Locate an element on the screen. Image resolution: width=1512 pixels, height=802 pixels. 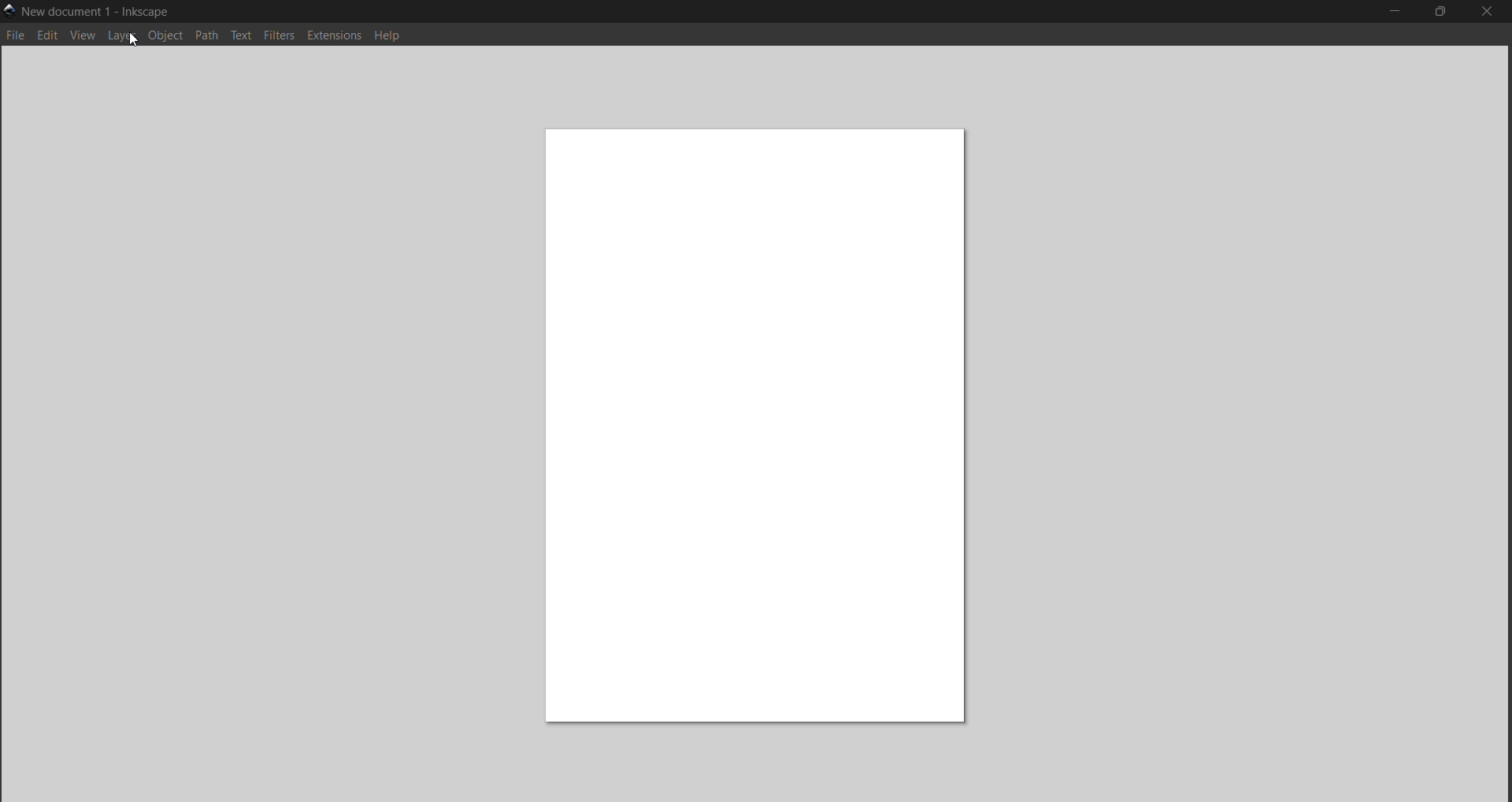
layer is located at coordinates (124, 37).